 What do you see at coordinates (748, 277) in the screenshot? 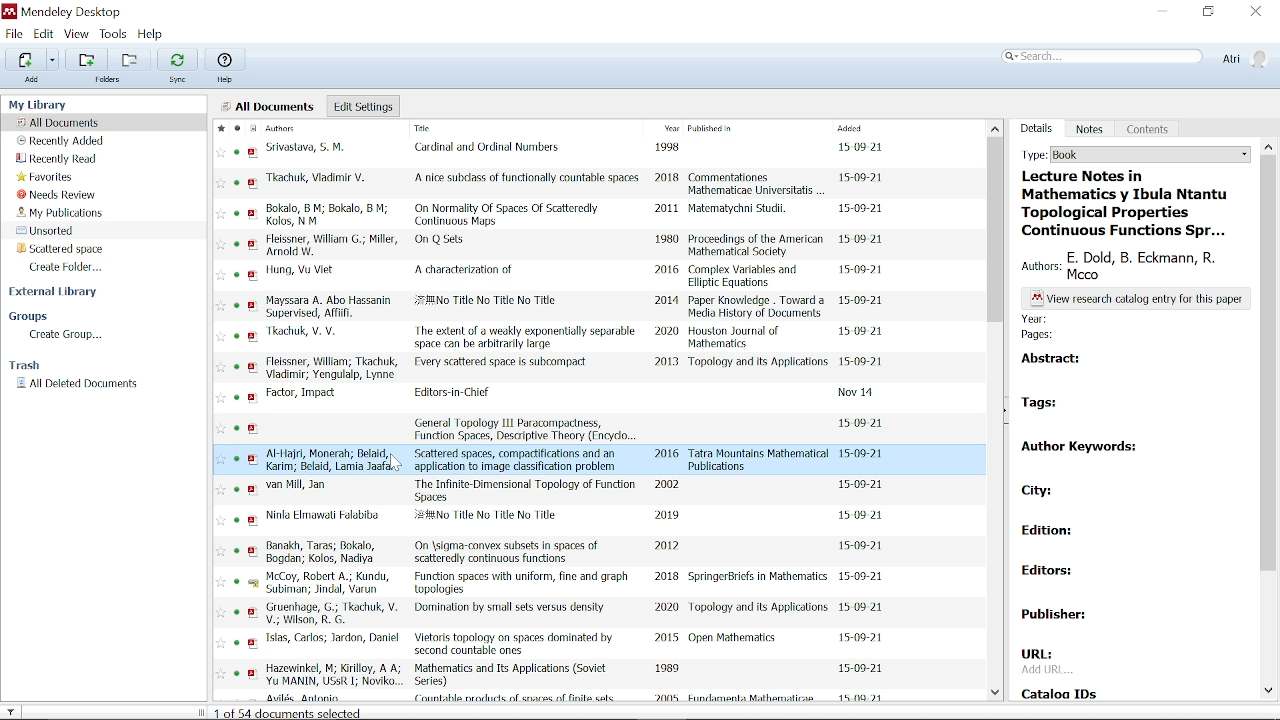
I see `Complex Variables and
Elliptic Equations.` at bounding box center [748, 277].